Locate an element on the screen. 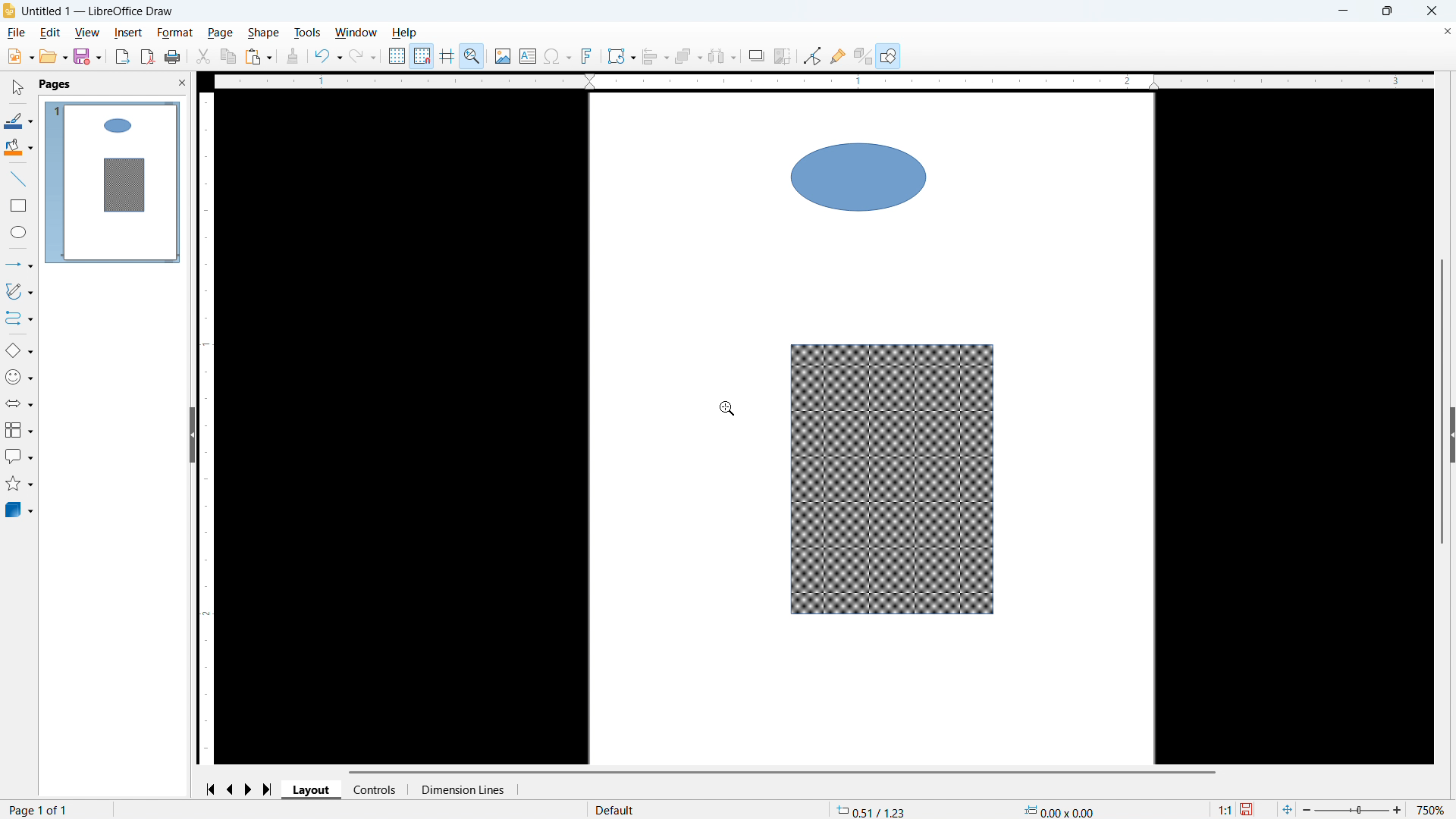 This screenshot has width=1456, height=819. View  is located at coordinates (89, 33).